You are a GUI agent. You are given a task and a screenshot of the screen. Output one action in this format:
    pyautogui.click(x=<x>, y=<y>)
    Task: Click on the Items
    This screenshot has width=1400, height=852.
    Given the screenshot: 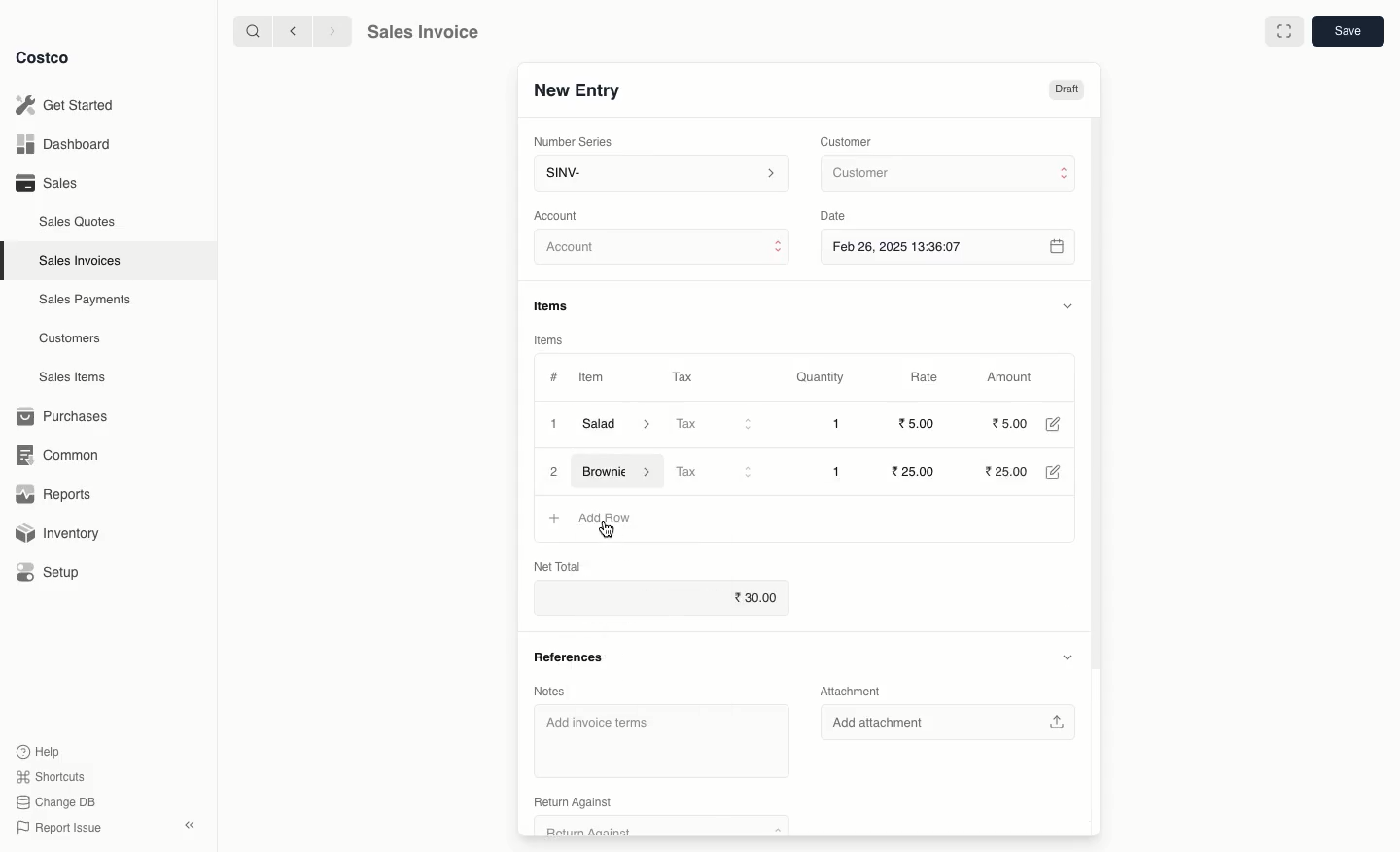 What is the action you would take?
    pyautogui.click(x=558, y=305)
    